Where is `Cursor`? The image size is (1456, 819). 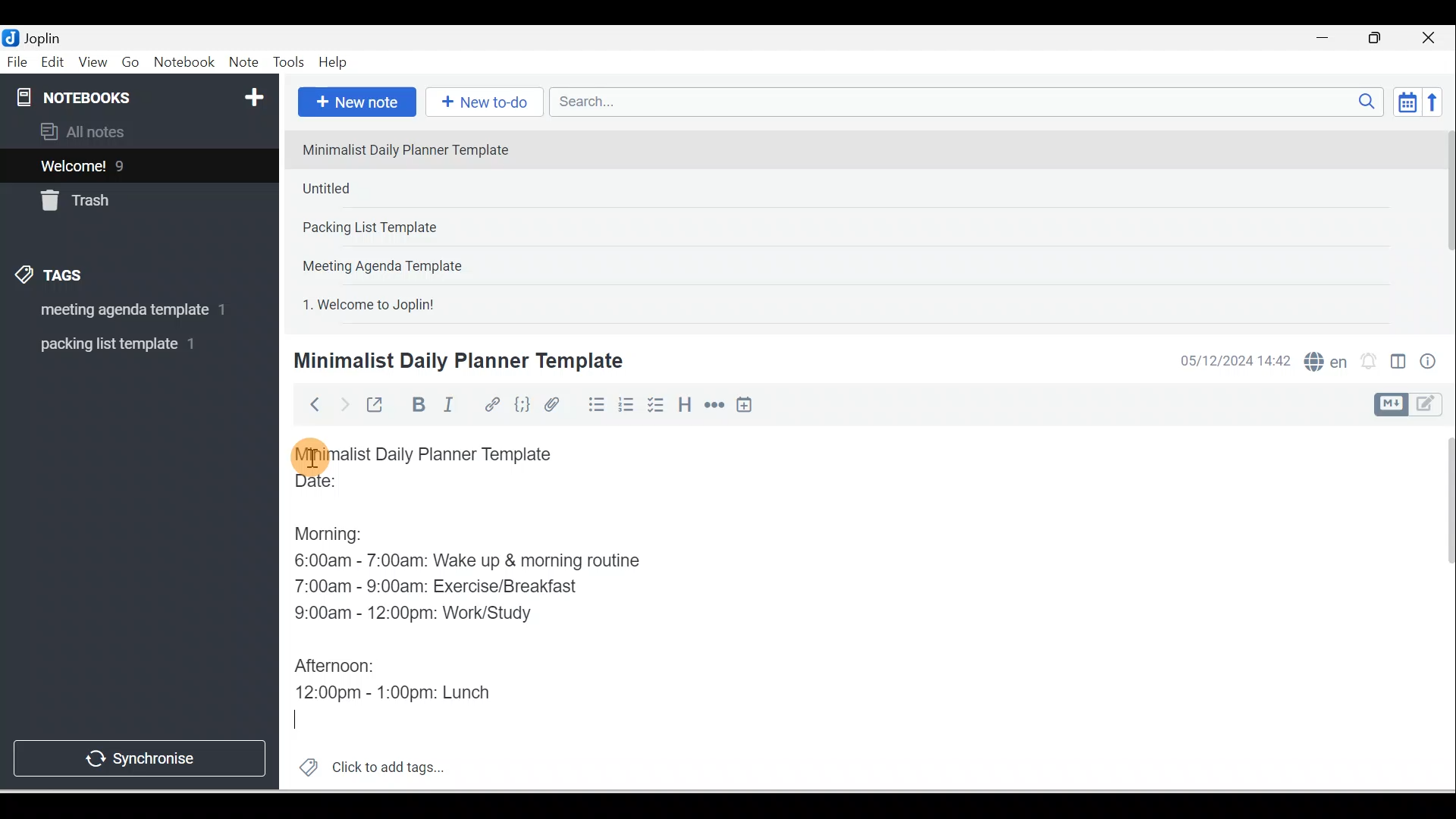
Cursor is located at coordinates (311, 455).